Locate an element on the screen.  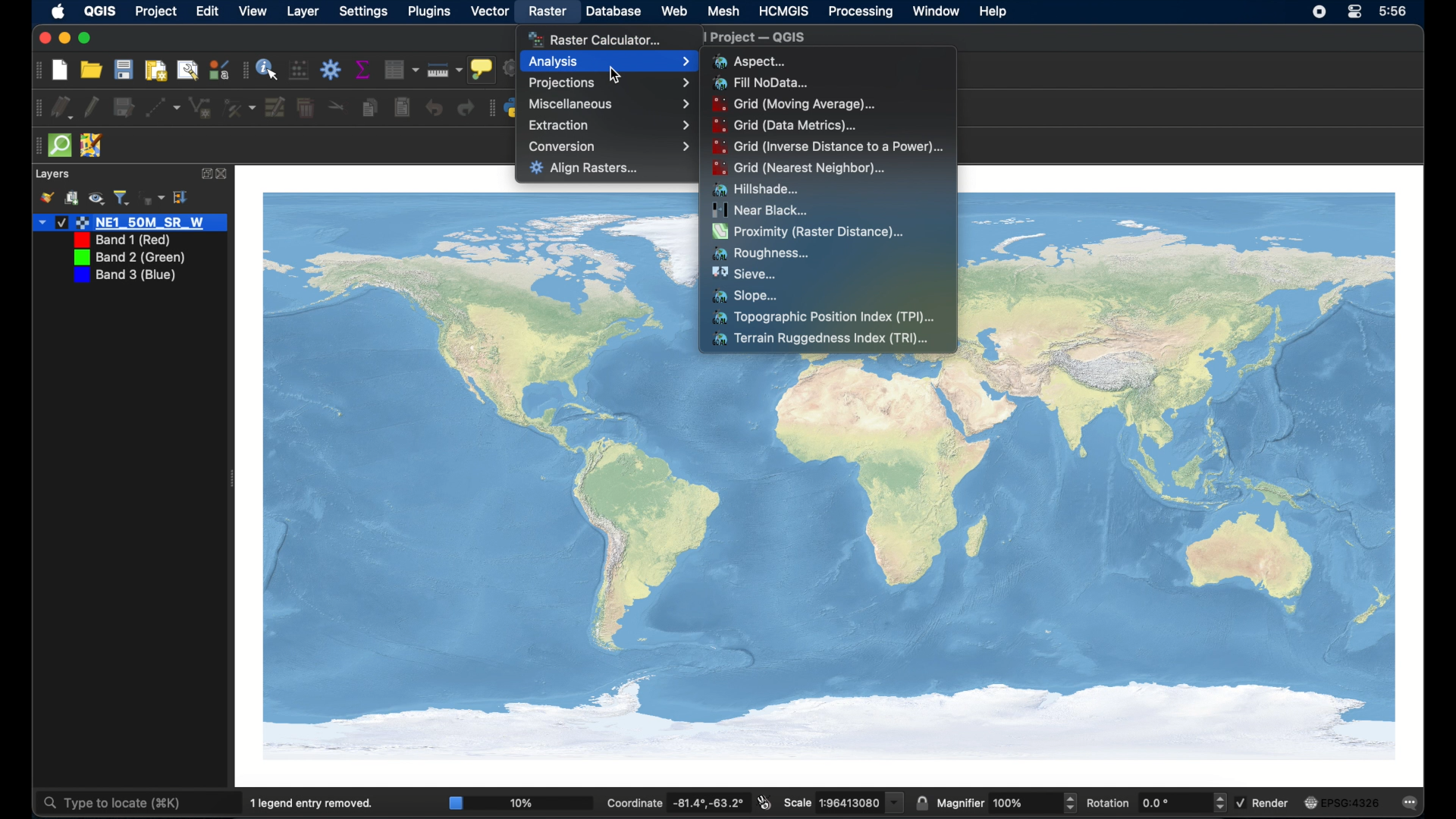
drag handle is located at coordinates (36, 108).